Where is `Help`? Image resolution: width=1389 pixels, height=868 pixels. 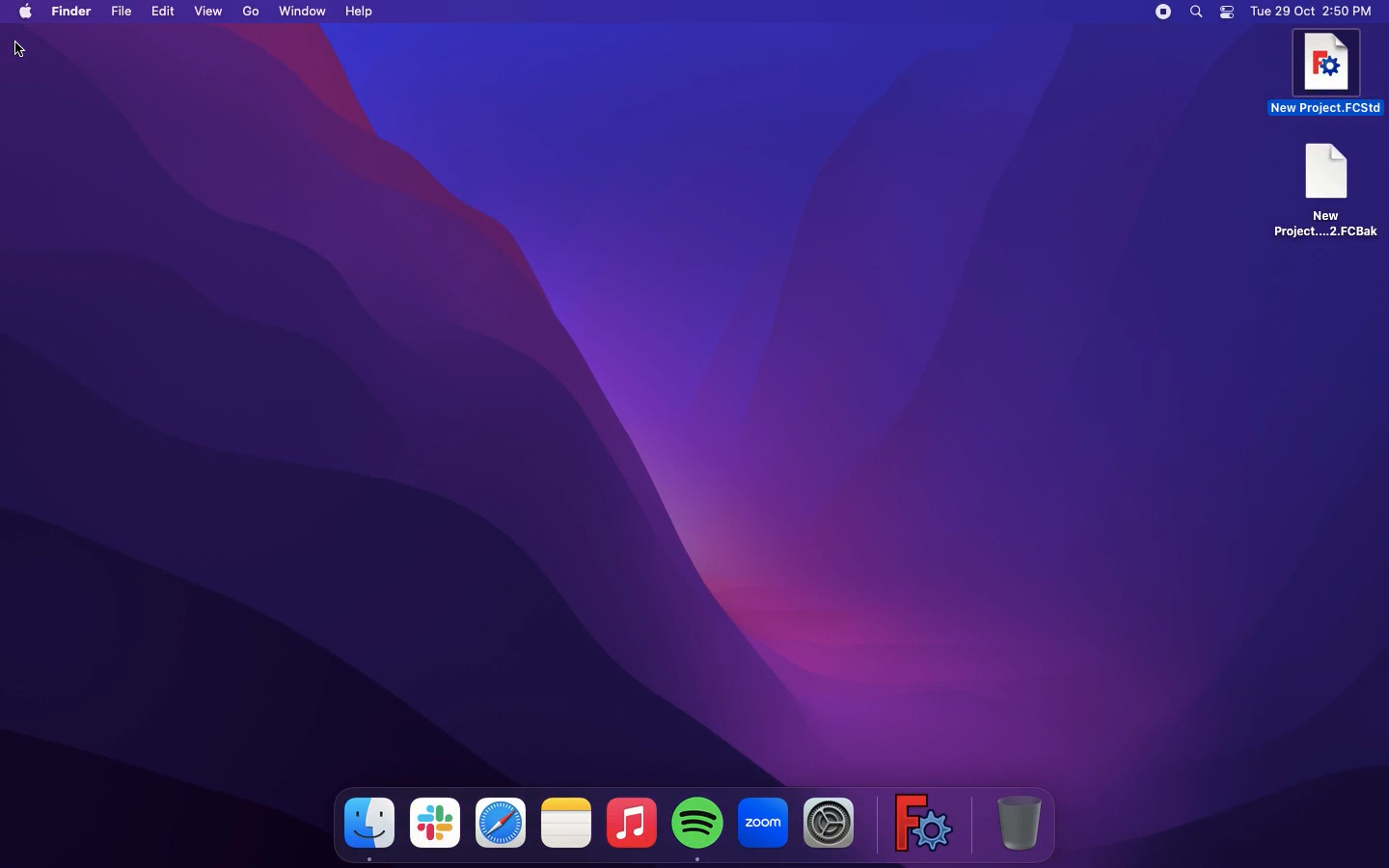 Help is located at coordinates (364, 11).